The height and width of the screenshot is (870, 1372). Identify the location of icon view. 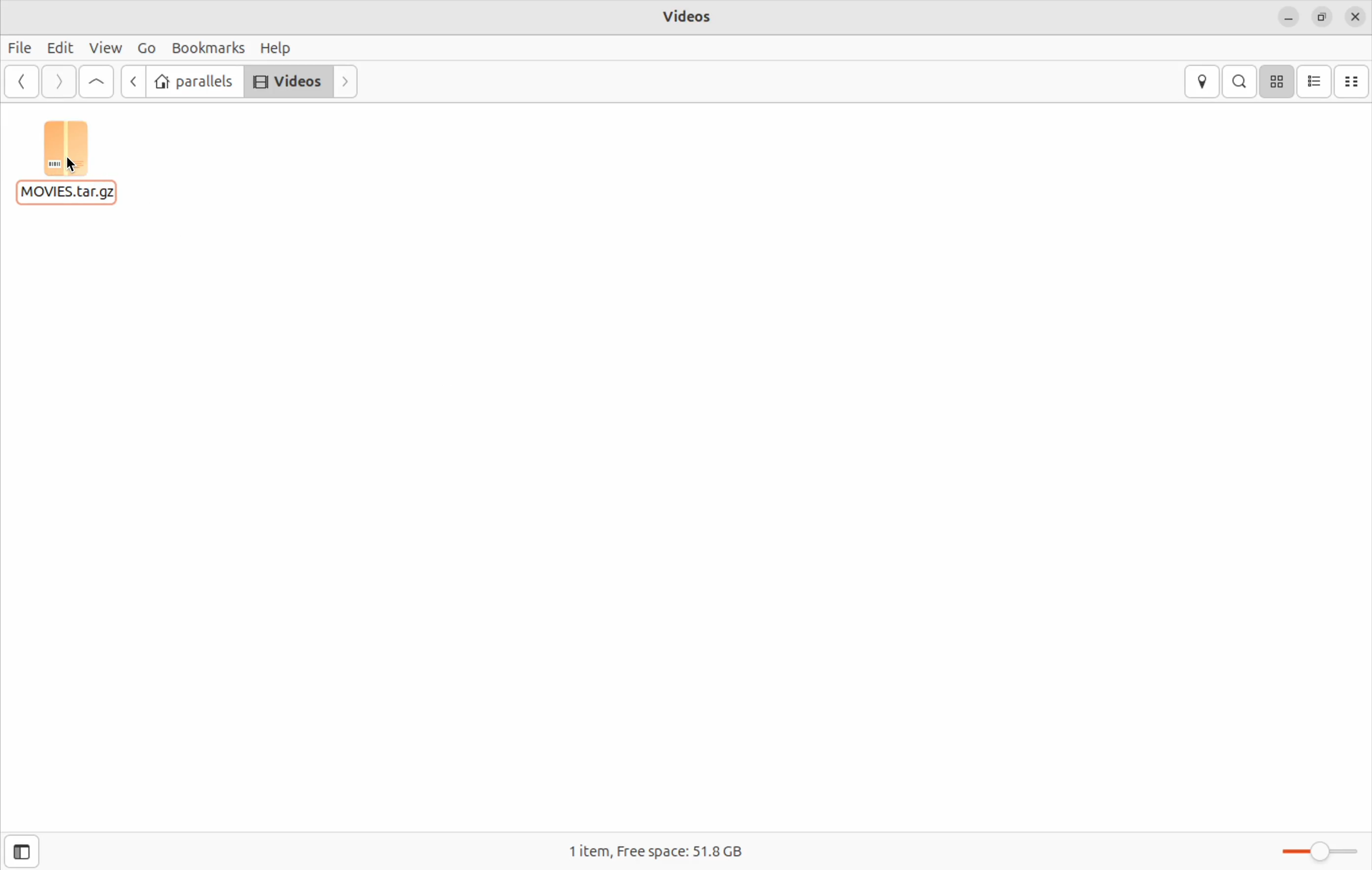
(1278, 81).